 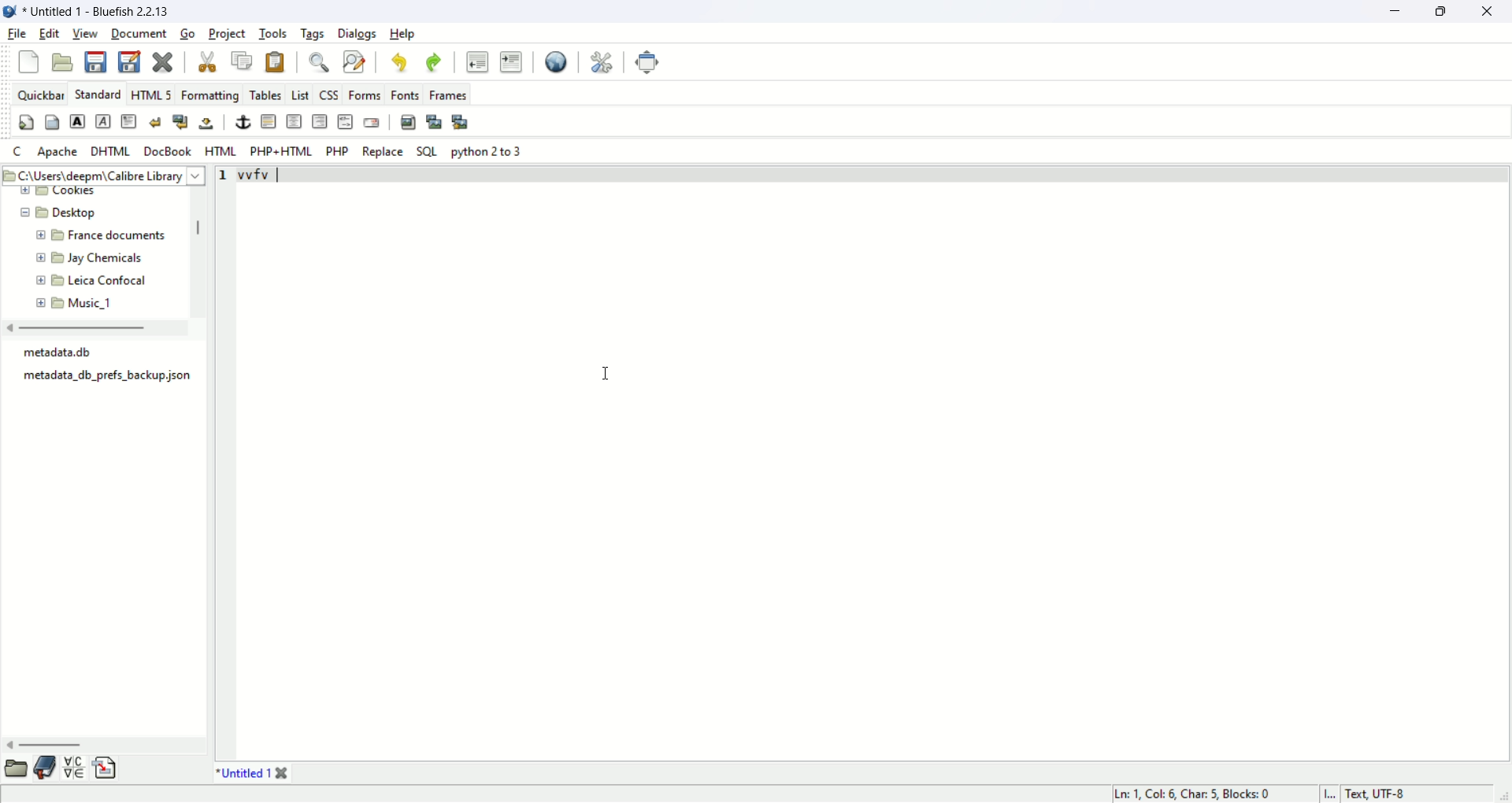 I want to click on document, so click(x=138, y=35).